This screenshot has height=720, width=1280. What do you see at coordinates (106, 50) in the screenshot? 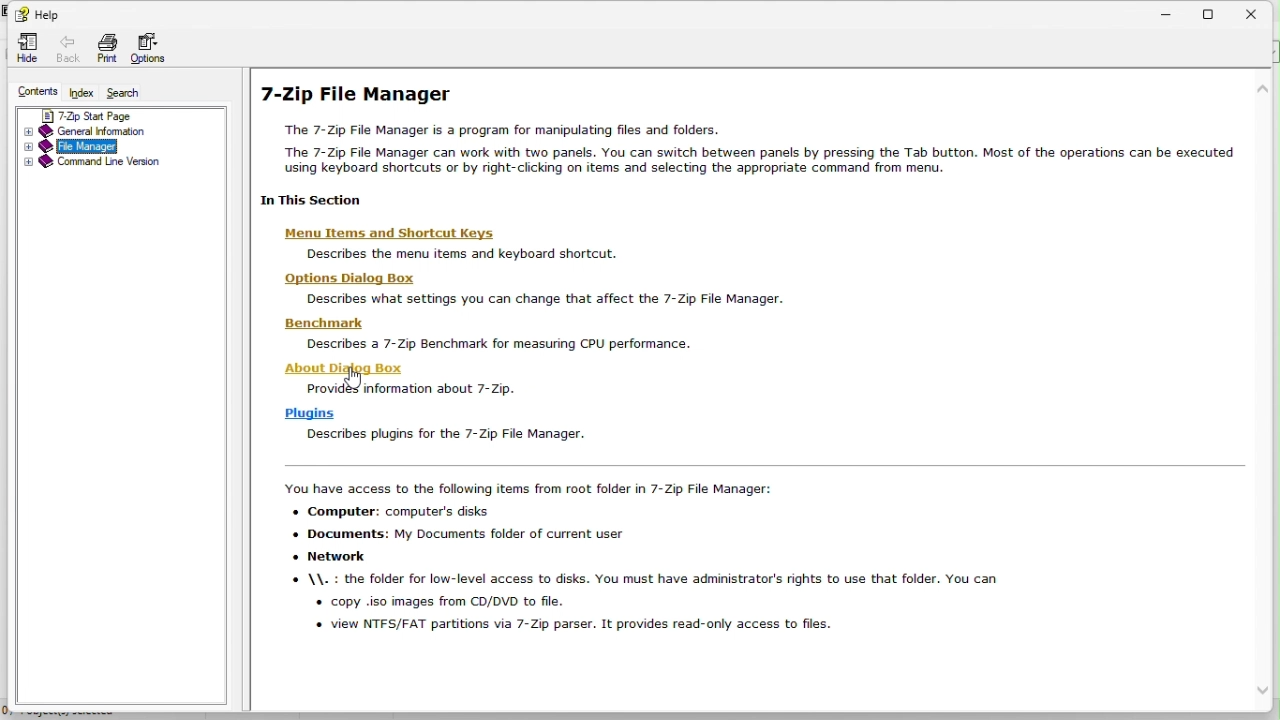
I see `Print` at bounding box center [106, 50].